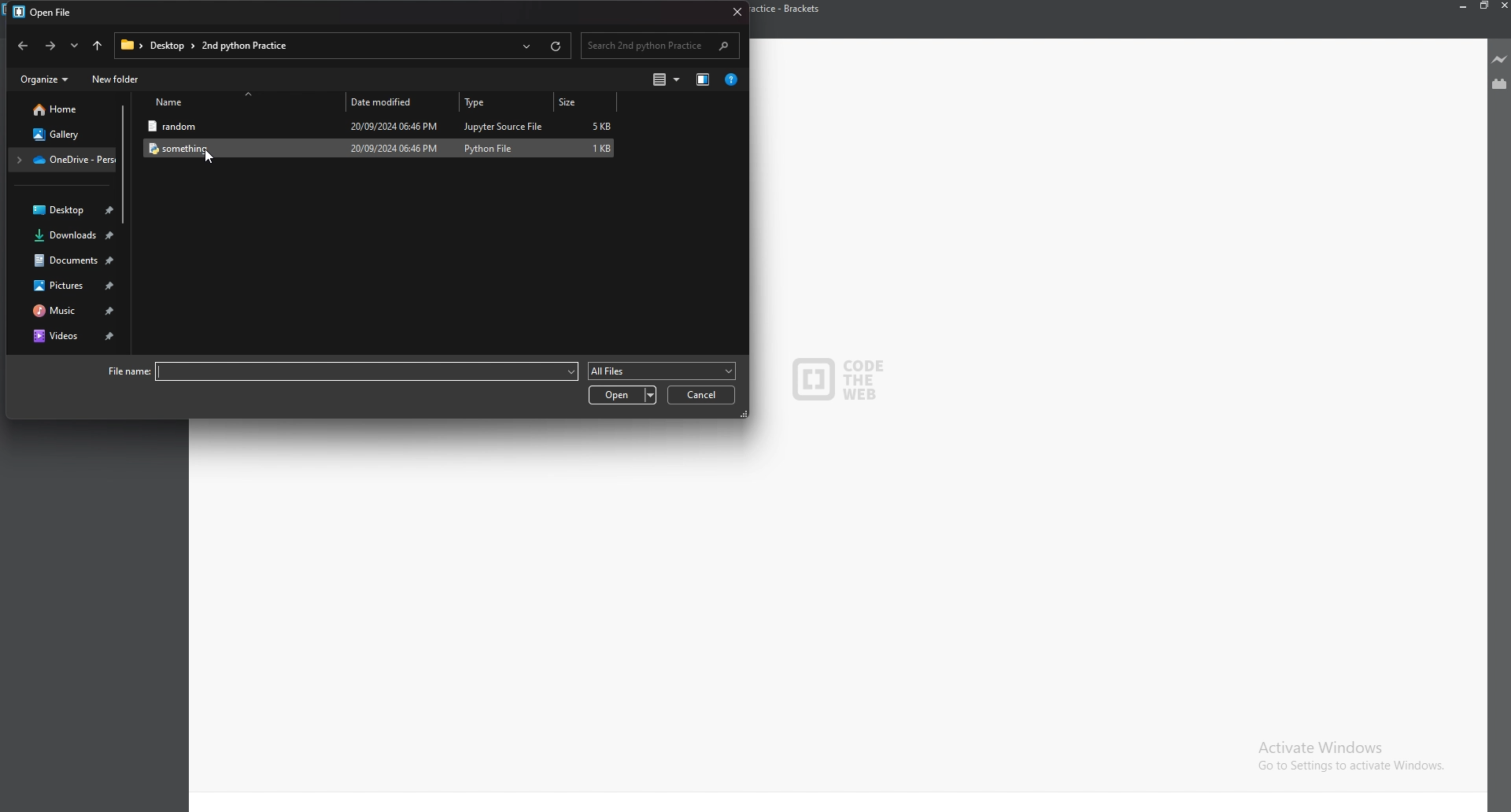 The image size is (1511, 812). What do you see at coordinates (392, 125) in the screenshot?
I see `20/09/2024 06:46 PM` at bounding box center [392, 125].